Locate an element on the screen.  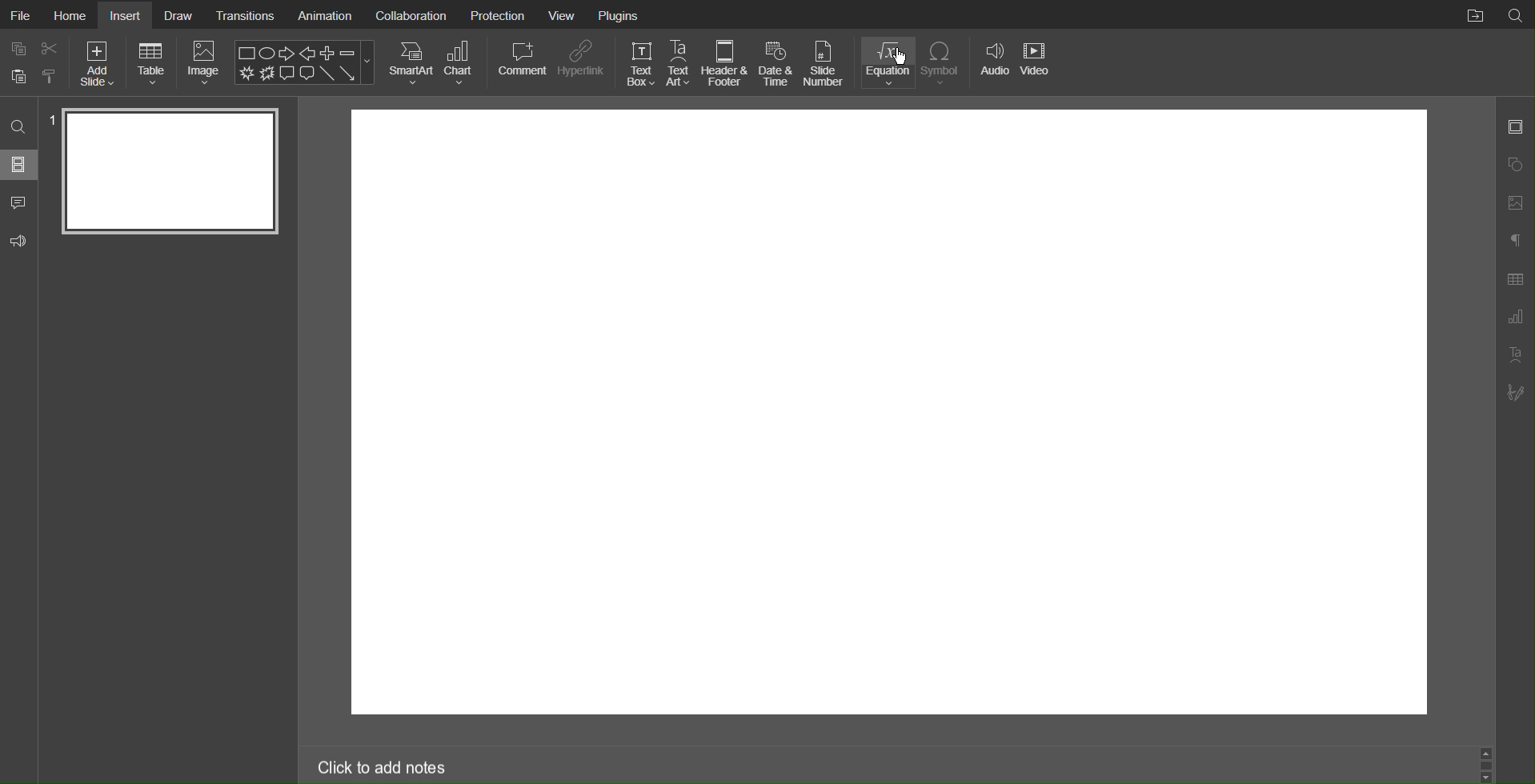
Text Box is located at coordinates (638, 63).